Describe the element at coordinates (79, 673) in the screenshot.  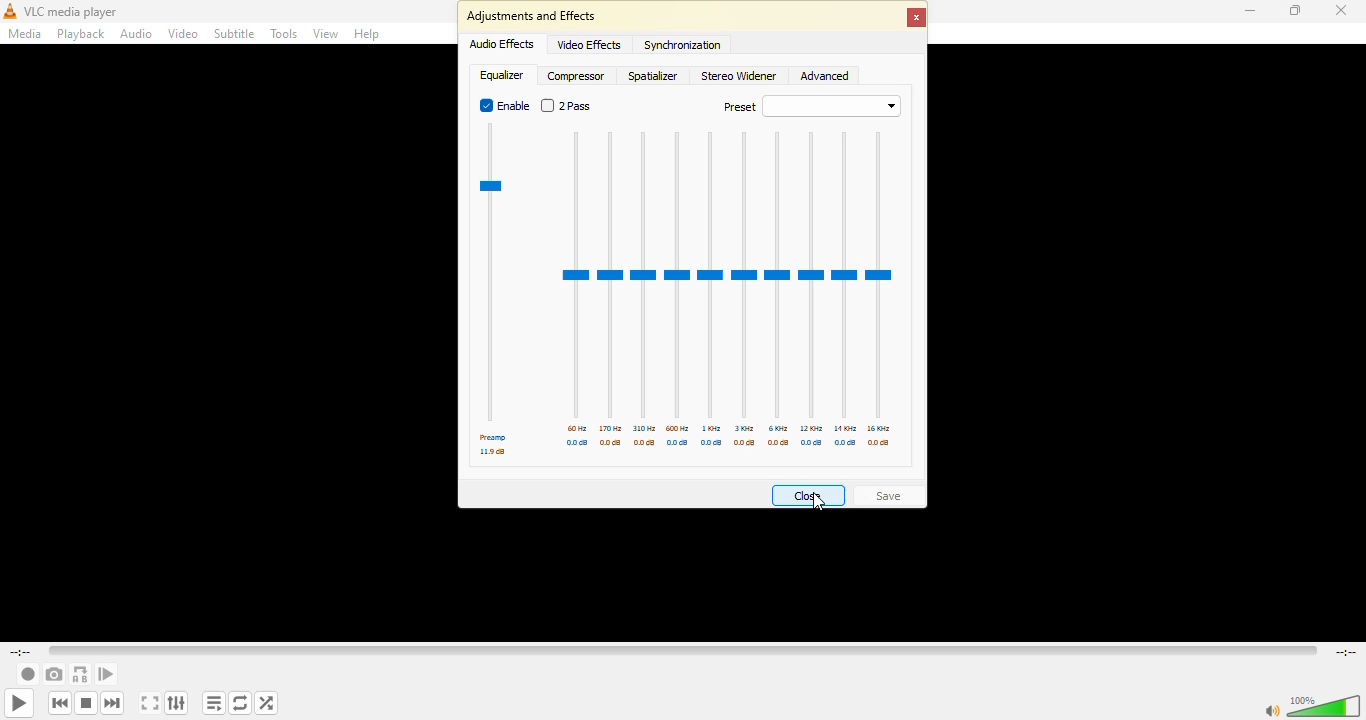
I see `loop from point a to point b continuously` at that location.